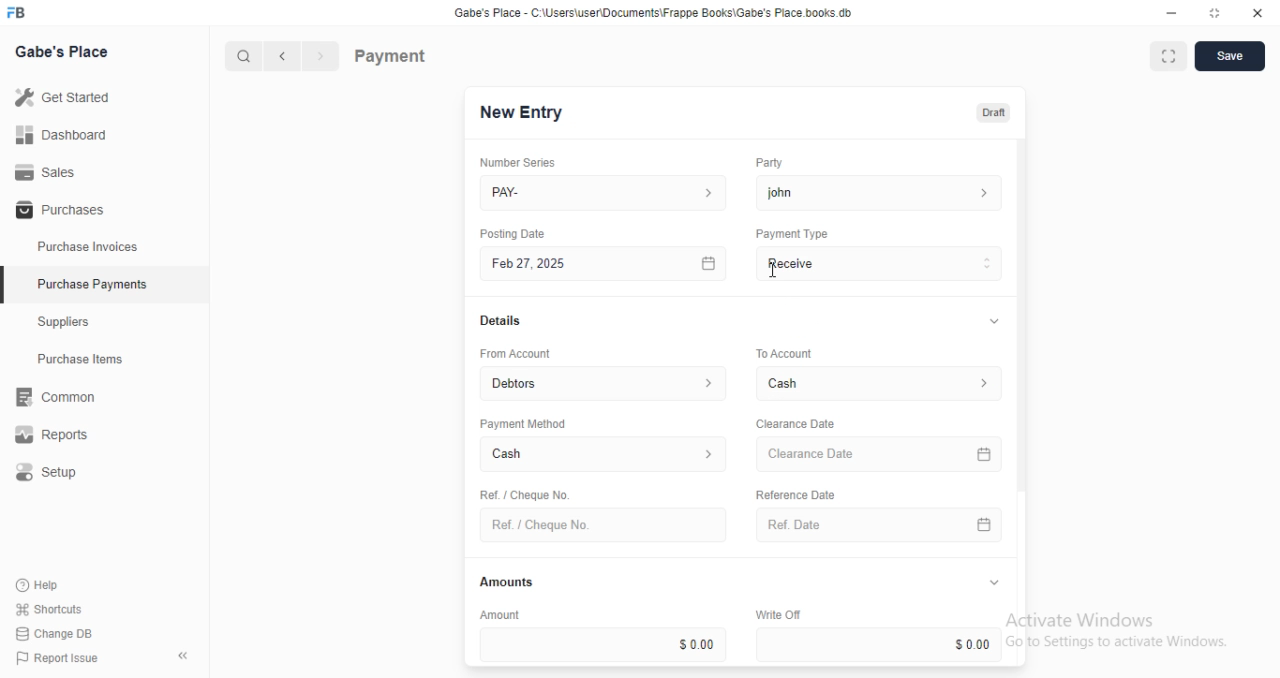  I want to click on expand/collapse, so click(990, 322).